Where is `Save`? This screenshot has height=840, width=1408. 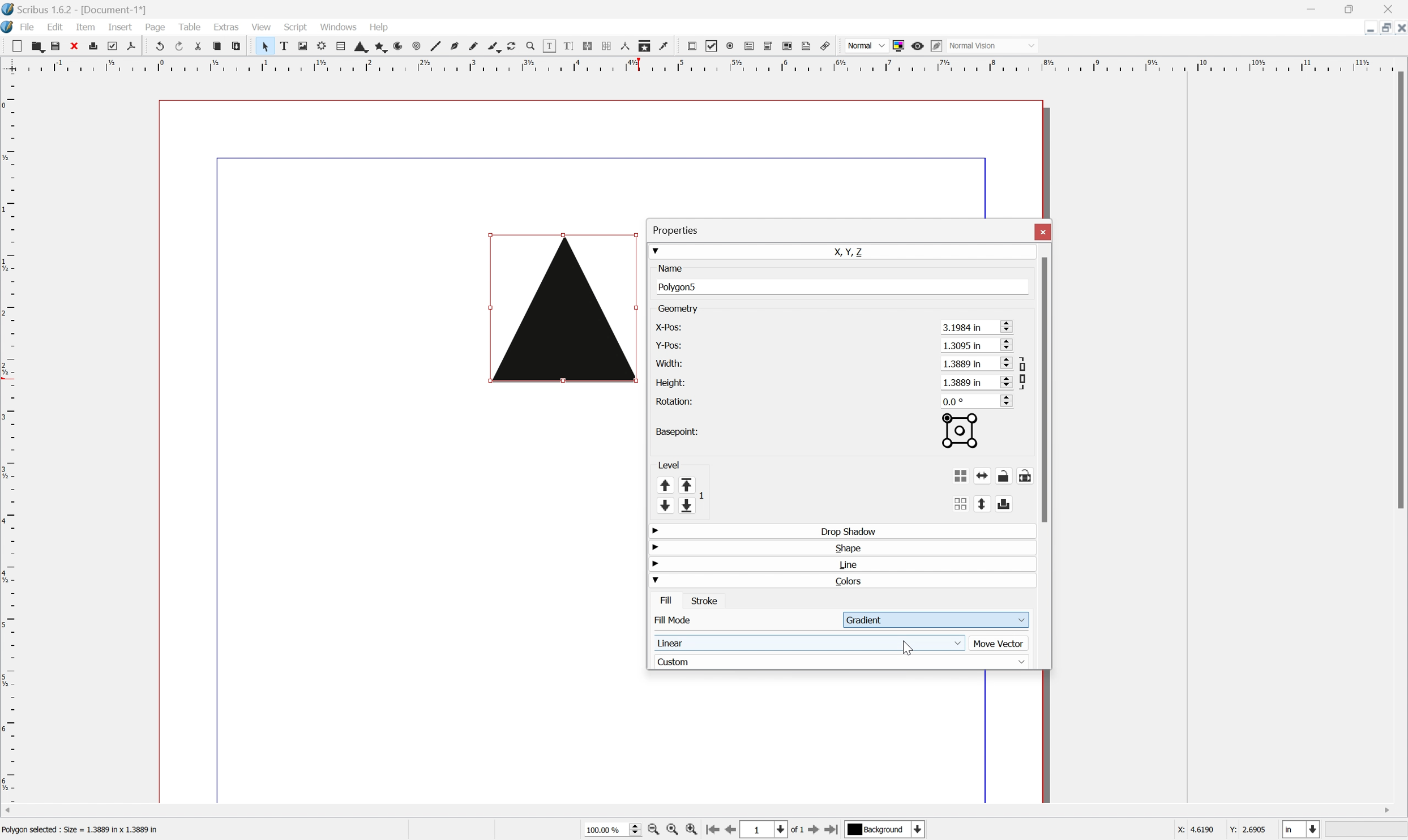 Save is located at coordinates (55, 44).